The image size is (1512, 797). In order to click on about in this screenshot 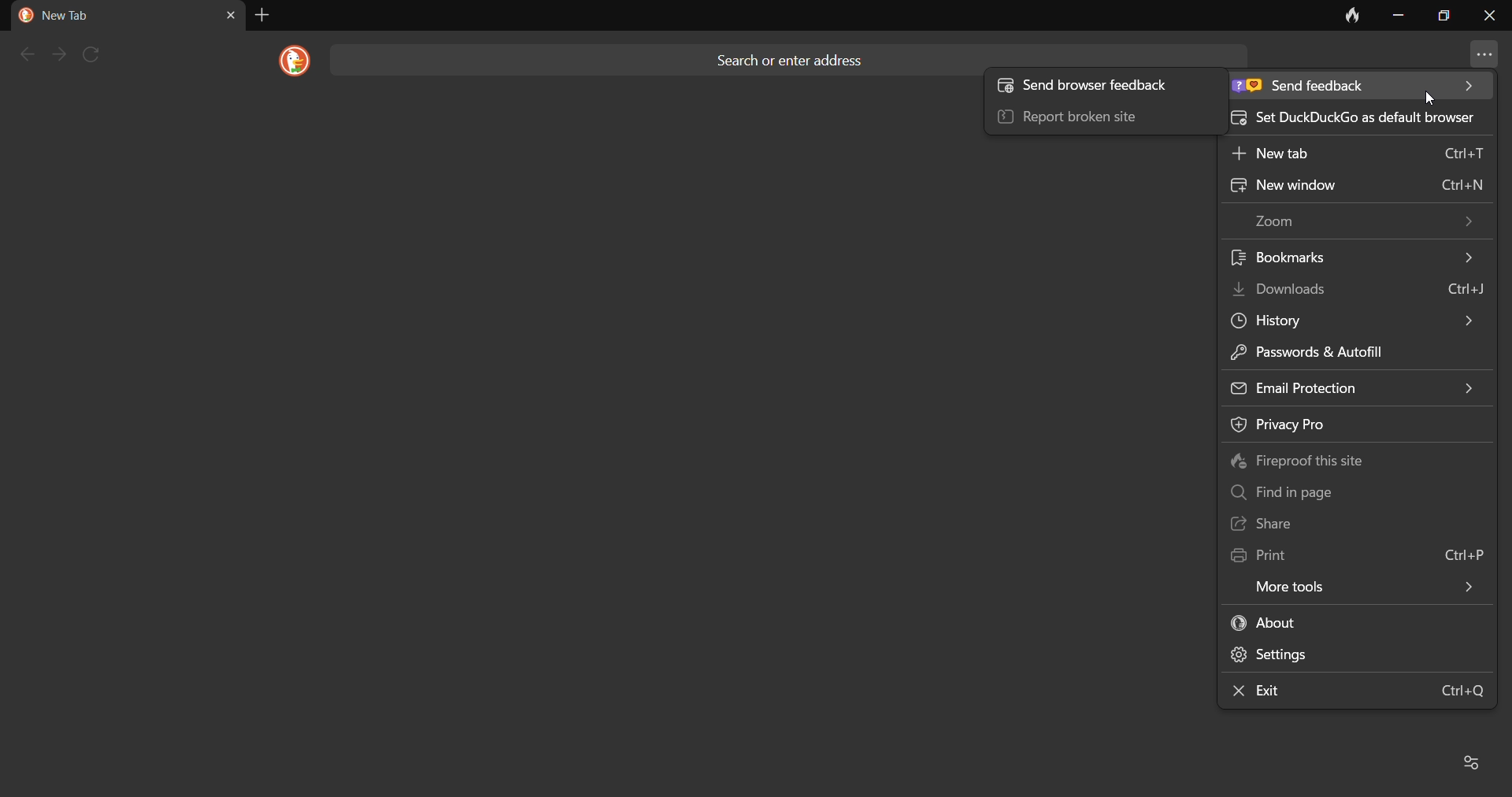, I will do `click(1337, 621)`.